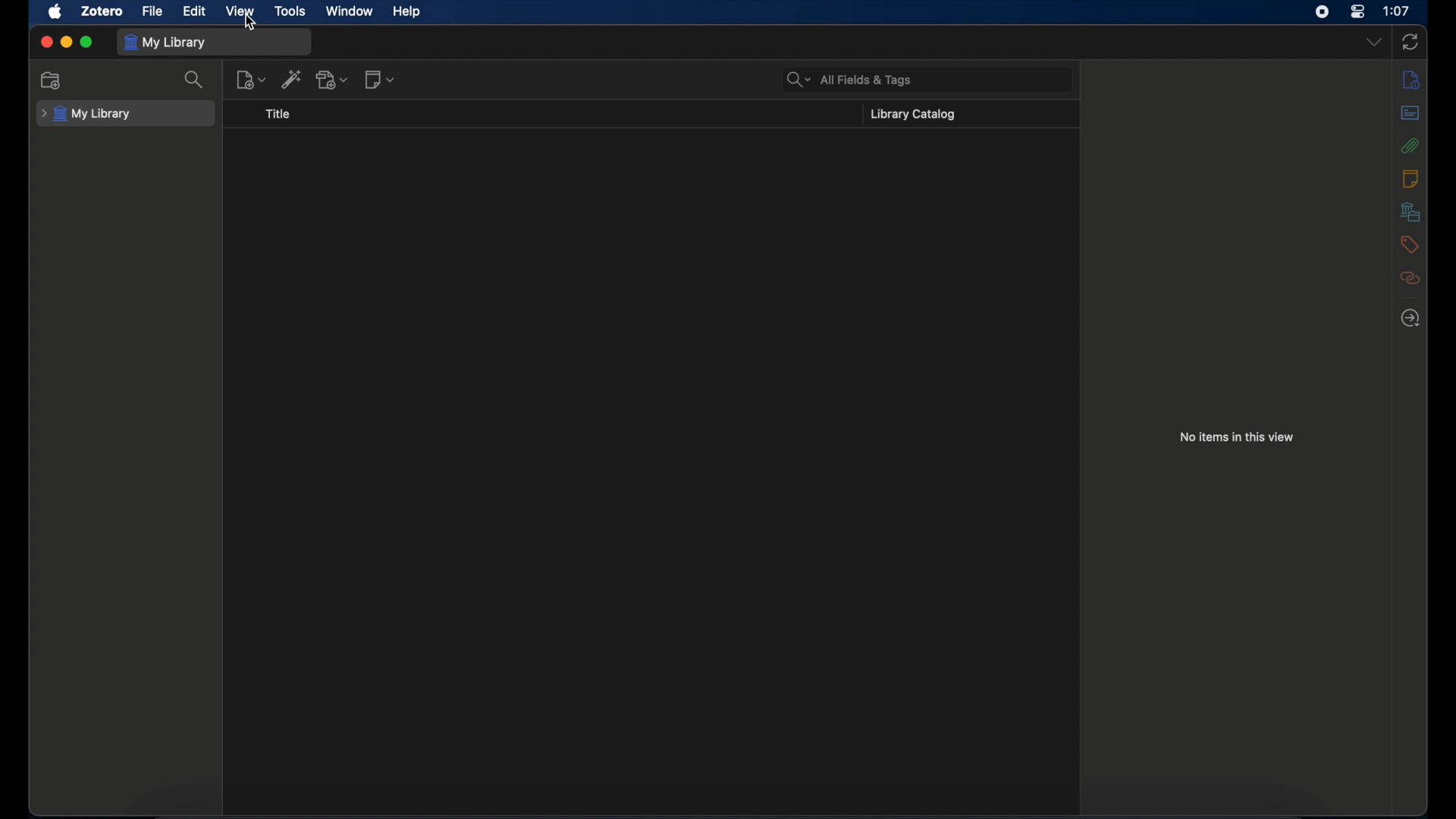 The image size is (1456, 819). I want to click on search bar, so click(849, 80).